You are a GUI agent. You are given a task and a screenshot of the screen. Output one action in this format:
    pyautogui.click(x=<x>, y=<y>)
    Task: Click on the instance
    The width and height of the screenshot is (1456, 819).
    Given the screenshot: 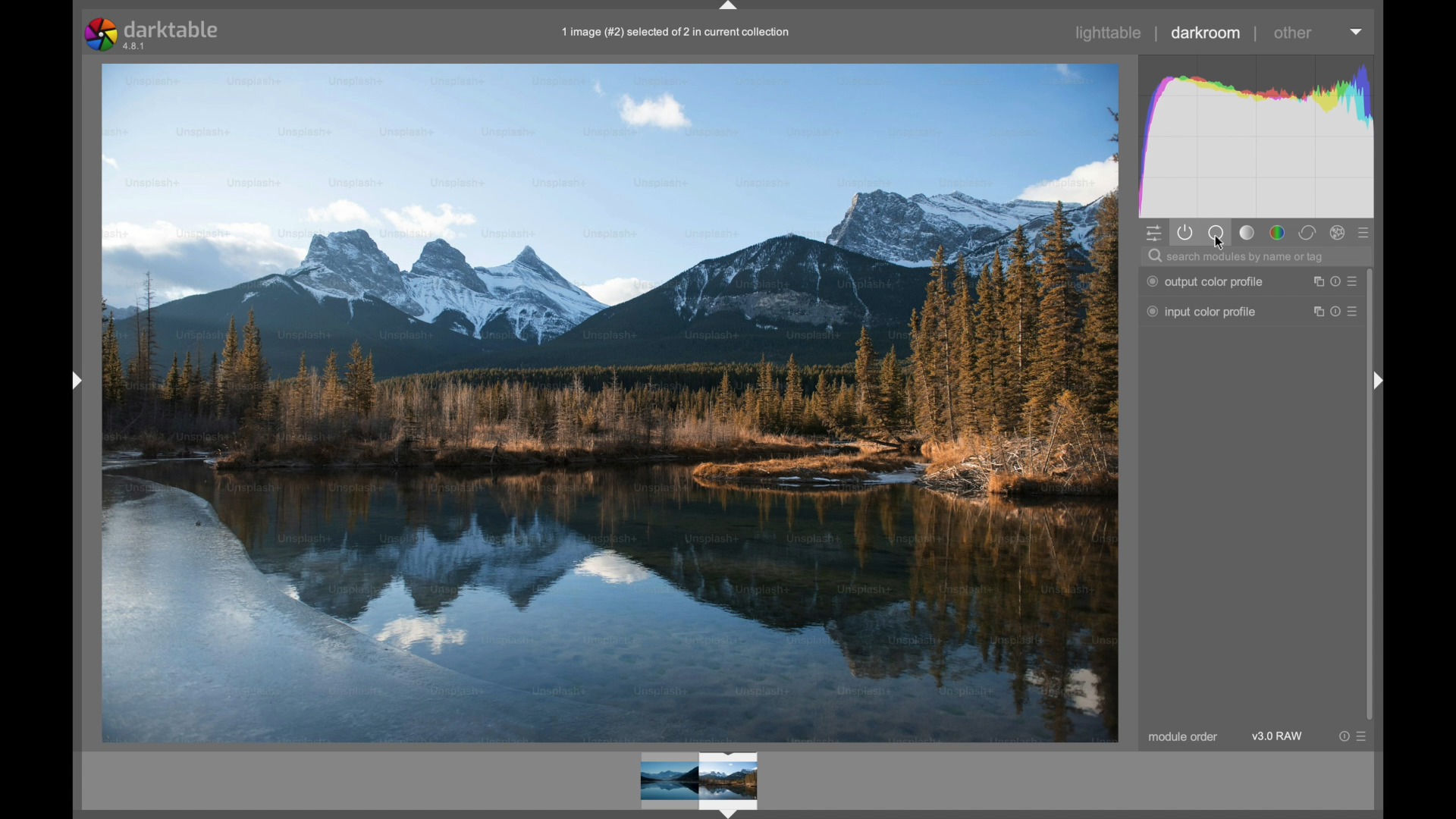 What is the action you would take?
    pyautogui.click(x=1315, y=310)
    